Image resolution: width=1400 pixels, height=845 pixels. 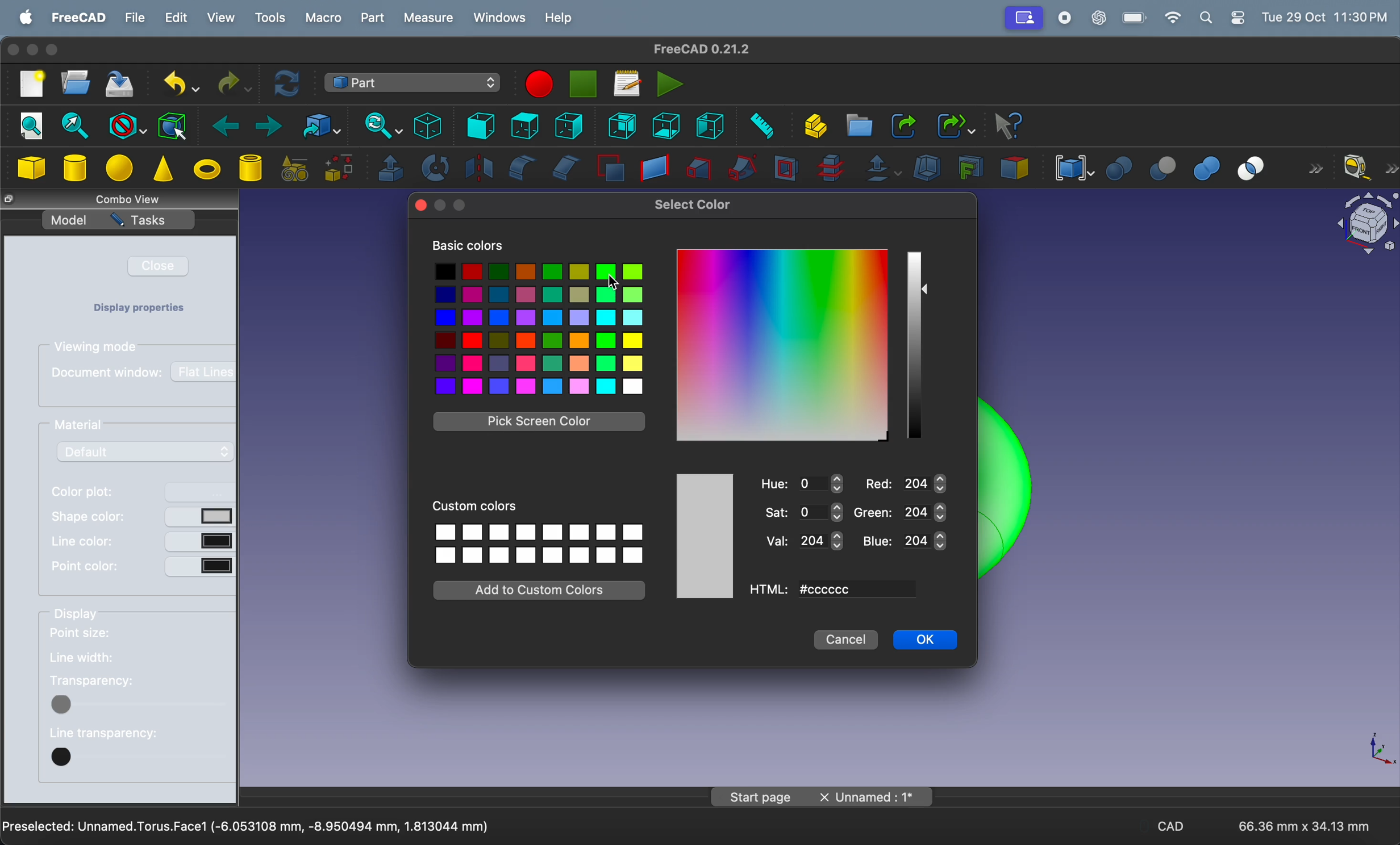 I want to click on union, so click(x=1205, y=166).